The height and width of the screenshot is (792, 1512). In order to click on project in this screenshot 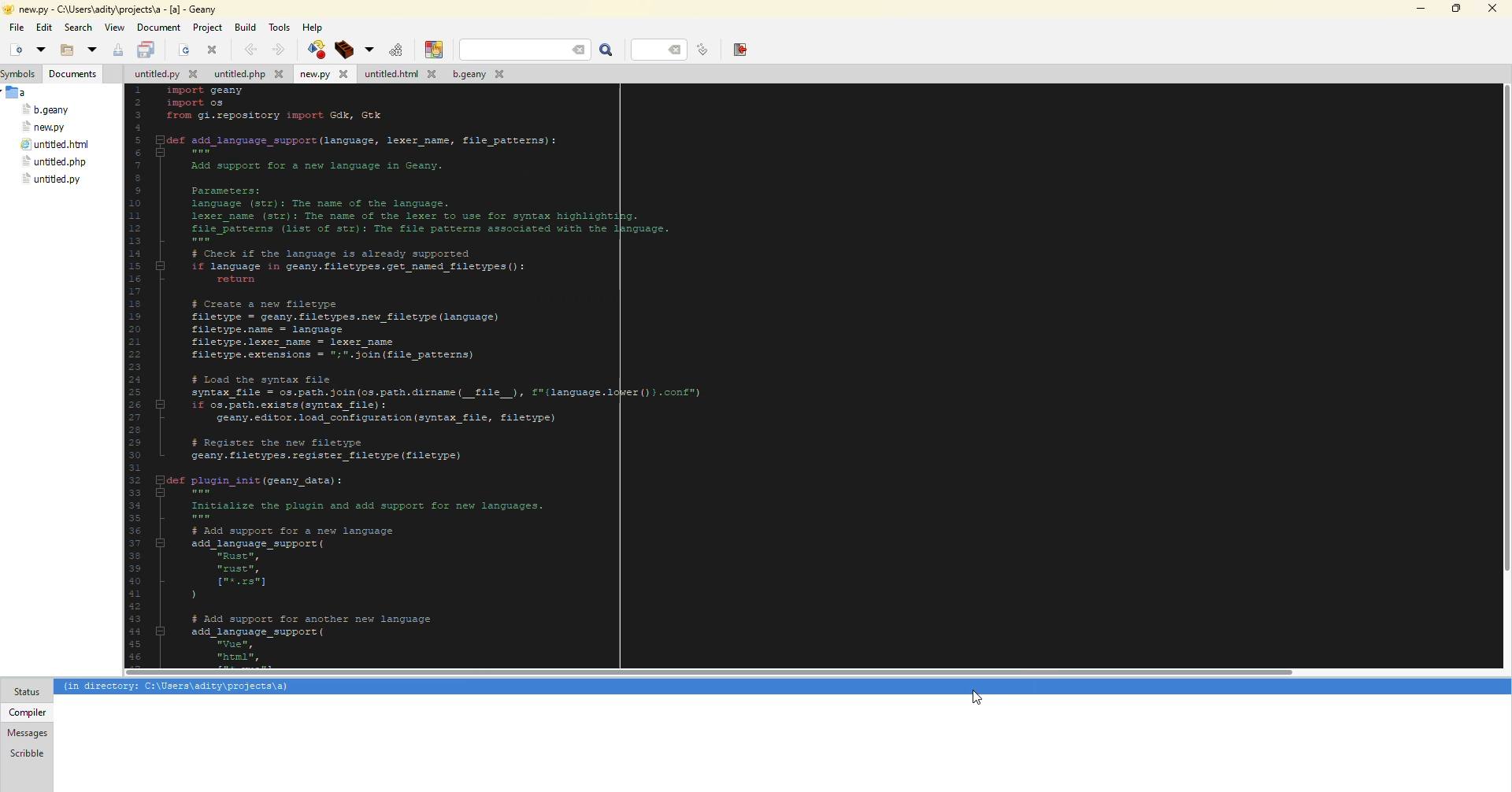, I will do `click(207, 28)`.